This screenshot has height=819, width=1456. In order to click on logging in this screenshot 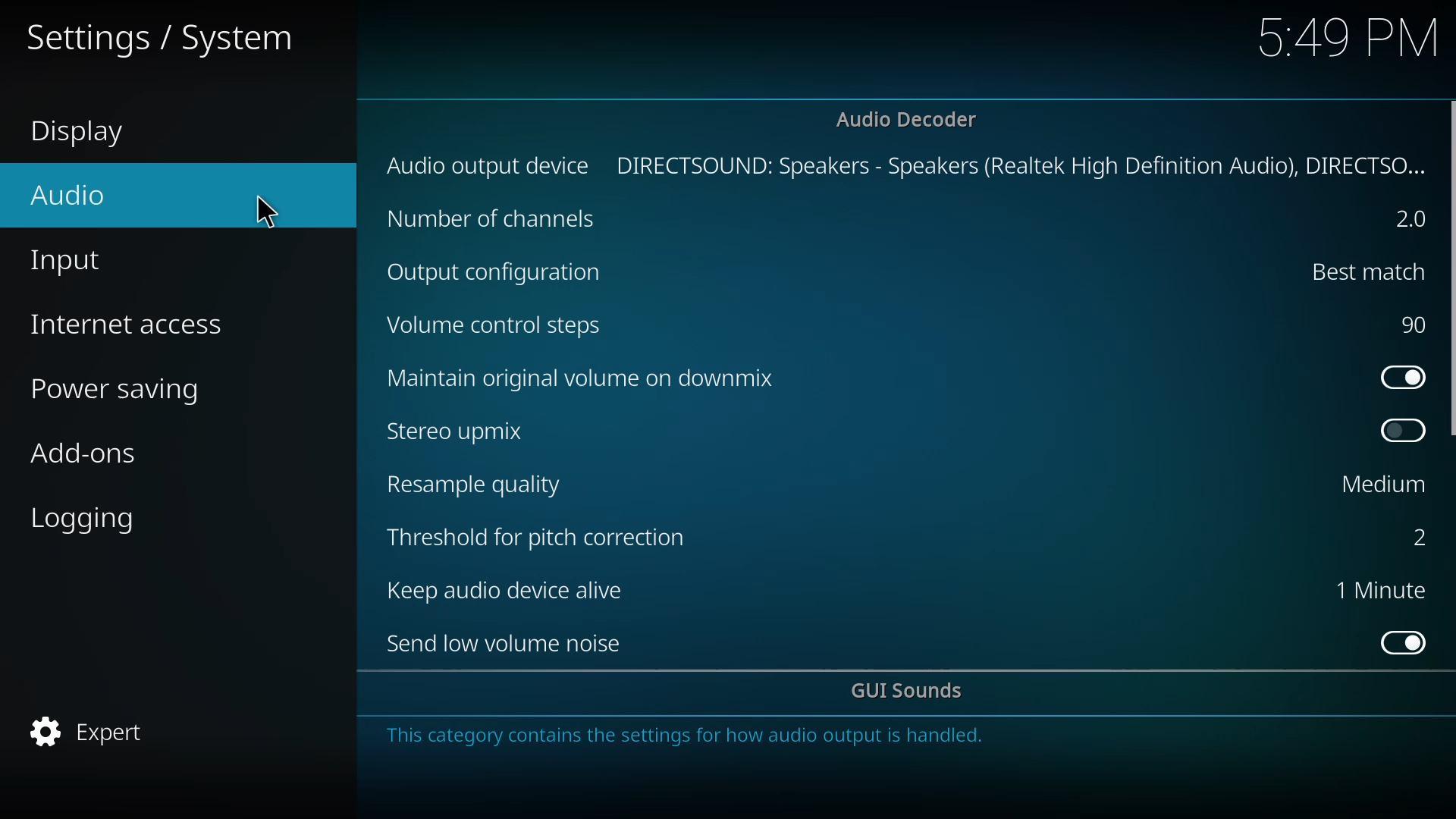, I will do `click(93, 518)`.